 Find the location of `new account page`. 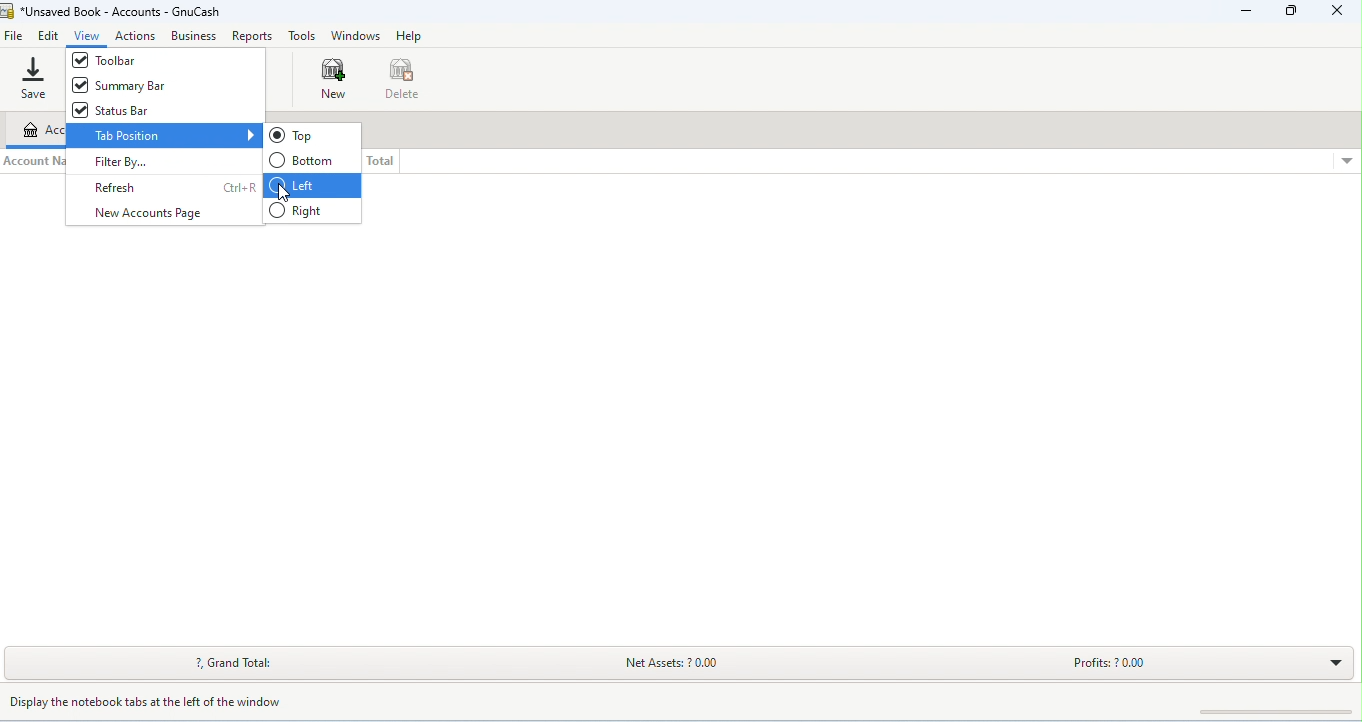

new account page is located at coordinates (157, 213).